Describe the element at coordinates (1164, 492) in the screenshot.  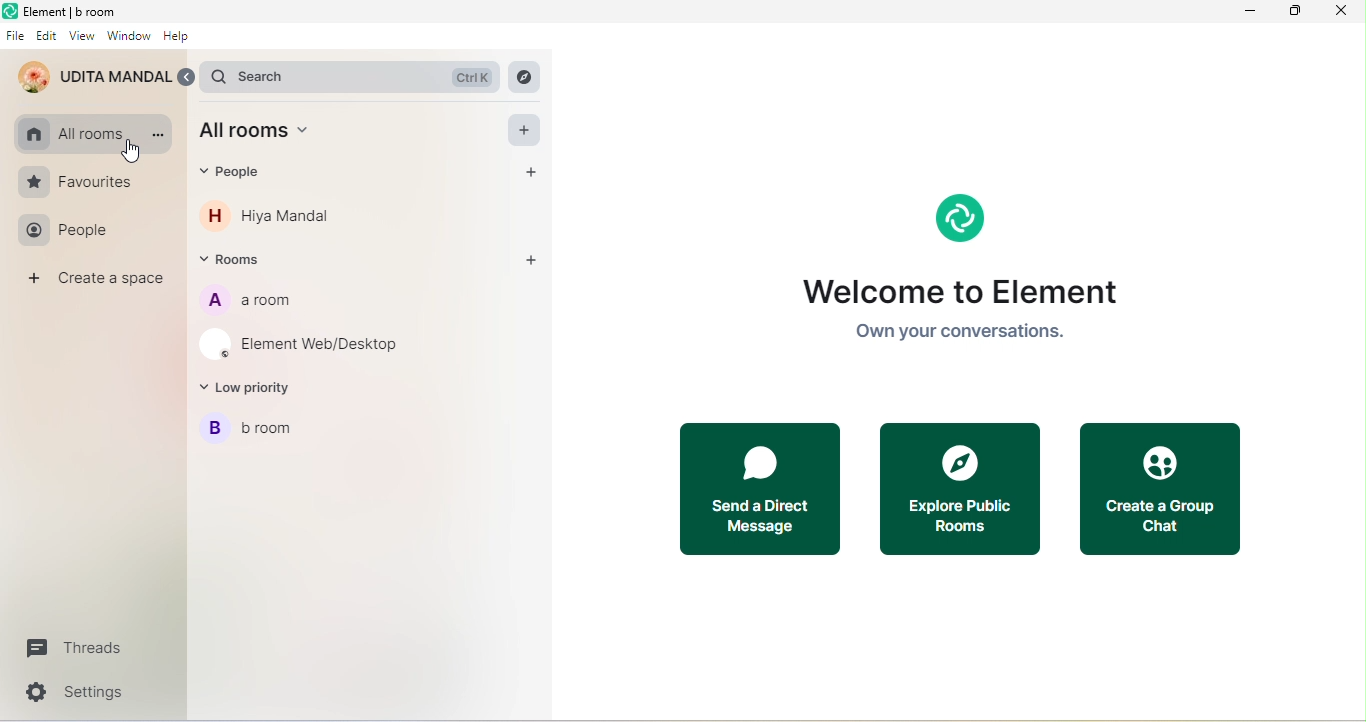
I see `create a group chart` at that location.